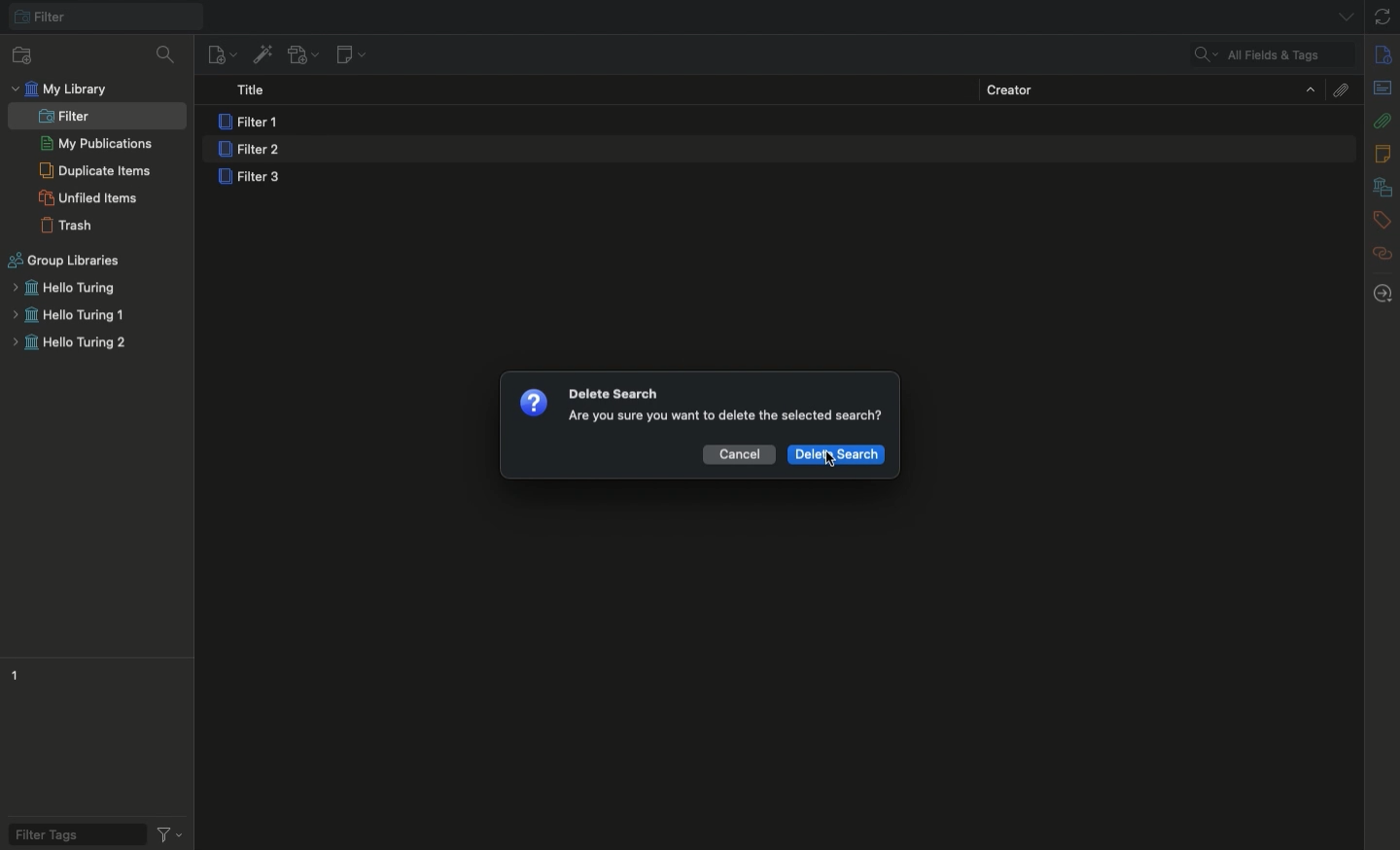  I want to click on My library, so click(104, 17).